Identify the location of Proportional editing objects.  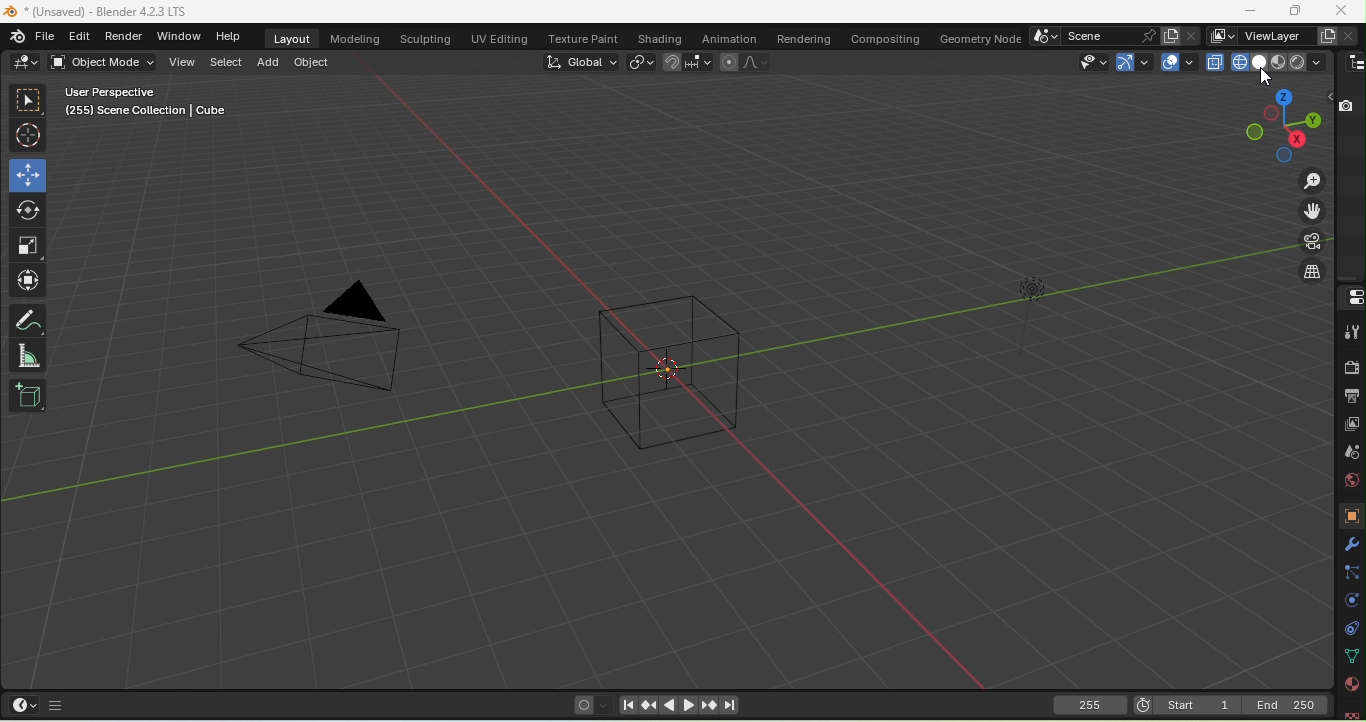
(727, 62).